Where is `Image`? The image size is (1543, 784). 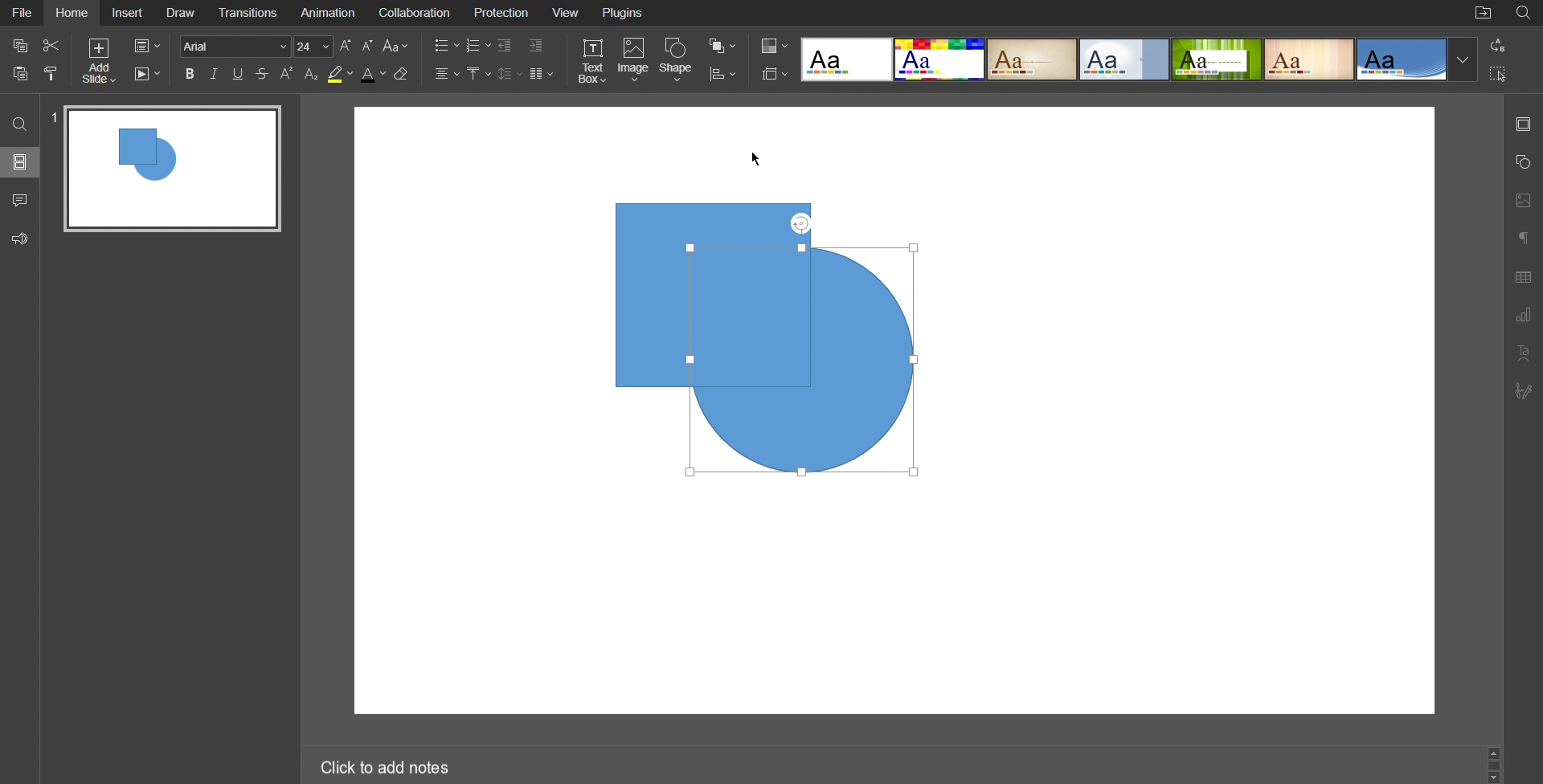
Image is located at coordinates (633, 62).